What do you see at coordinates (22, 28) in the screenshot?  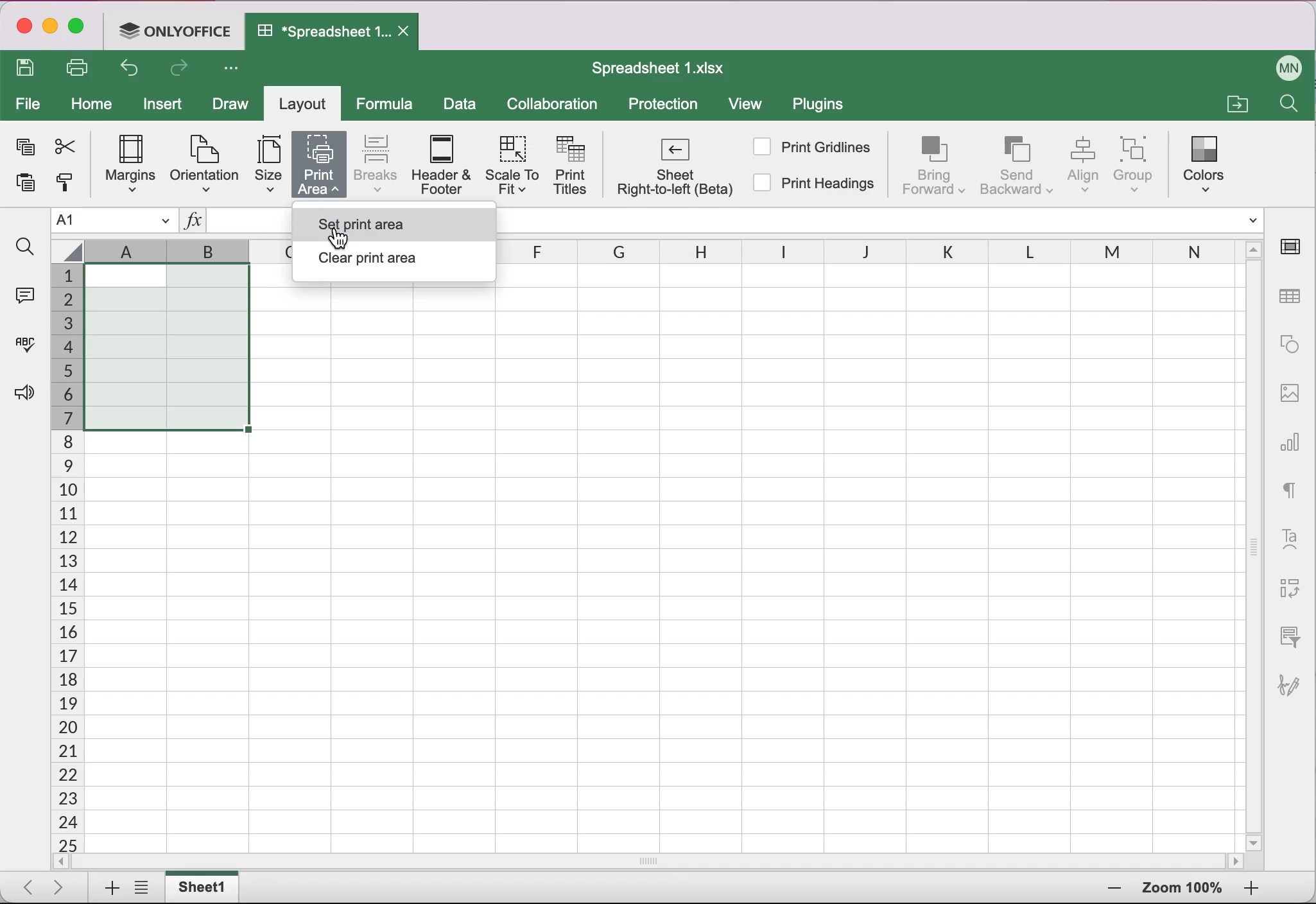 I see `close` at bounding box center [22, 28].